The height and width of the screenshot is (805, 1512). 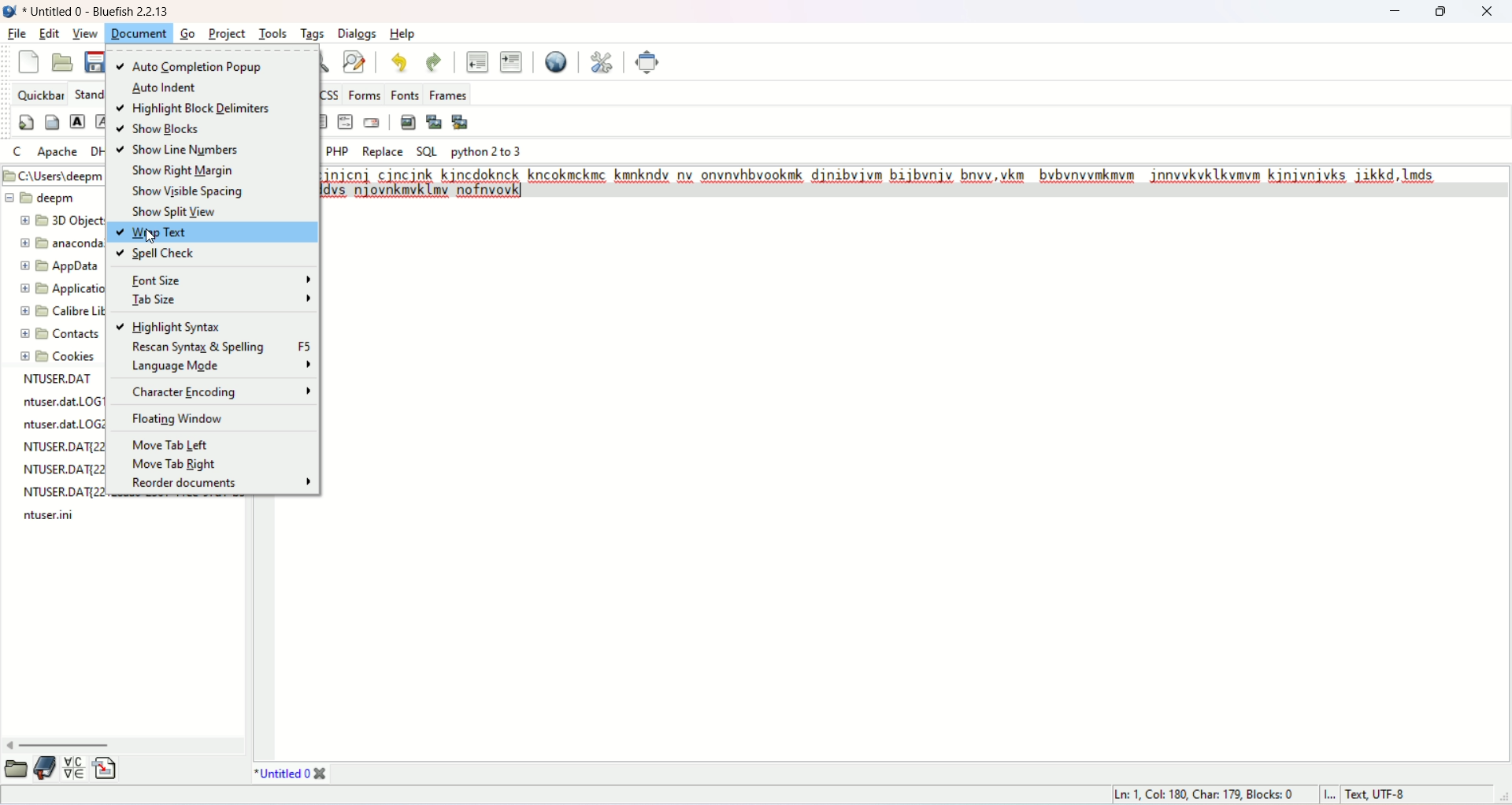 What do you see at coordinates (220, 366) in the screenshot?
I see `language mode` at bounding box center [220, 366].